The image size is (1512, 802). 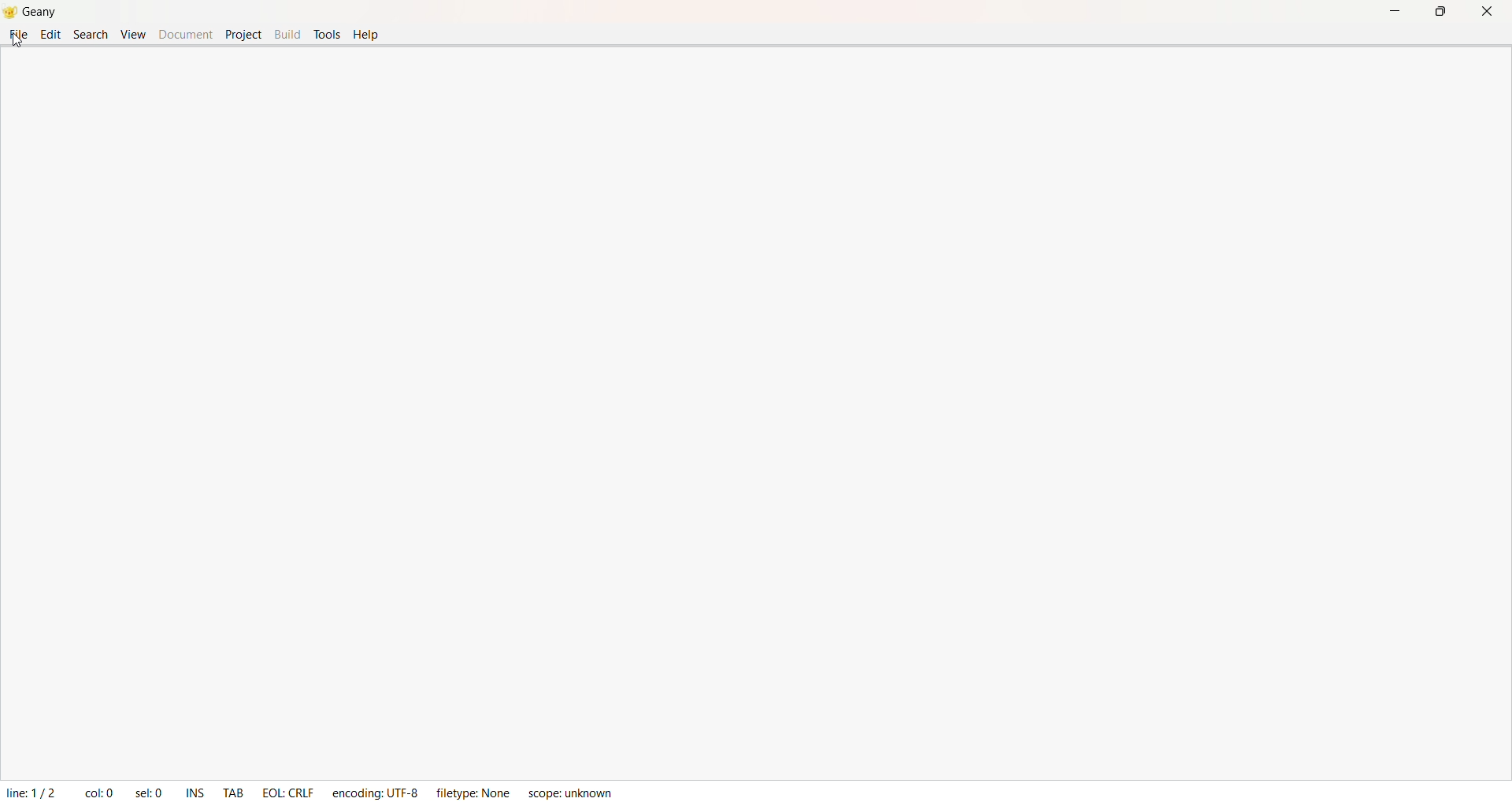 What do you see at coordinates (195, 793) in the screenshot?
I see `INS` at bounding box center [195, 793].